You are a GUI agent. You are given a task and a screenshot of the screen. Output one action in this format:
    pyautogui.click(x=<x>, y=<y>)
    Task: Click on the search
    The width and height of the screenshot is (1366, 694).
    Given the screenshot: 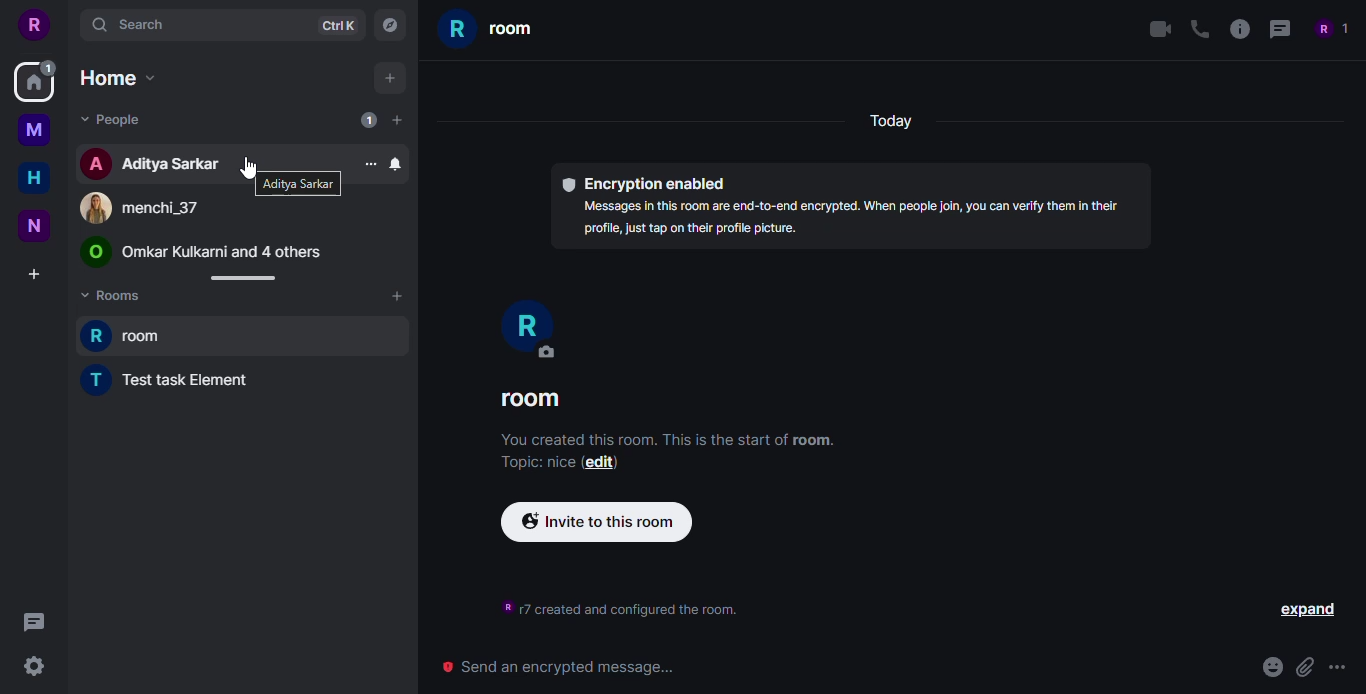 What is the action you would take?
    pyautogui.click(x=131, y=24)
    